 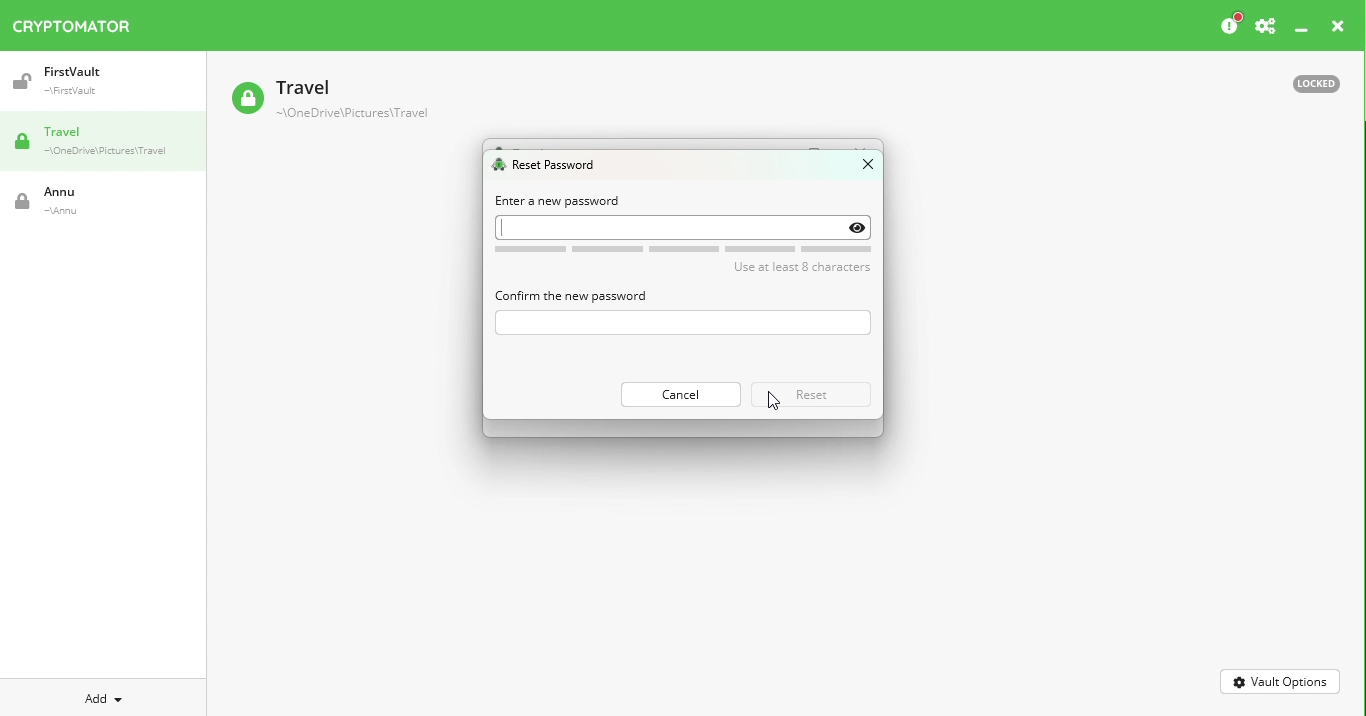 What do you see at coordinates (1302, 31) in the screenshot?
I see `Minimize` at bounding box center [1302, 31].